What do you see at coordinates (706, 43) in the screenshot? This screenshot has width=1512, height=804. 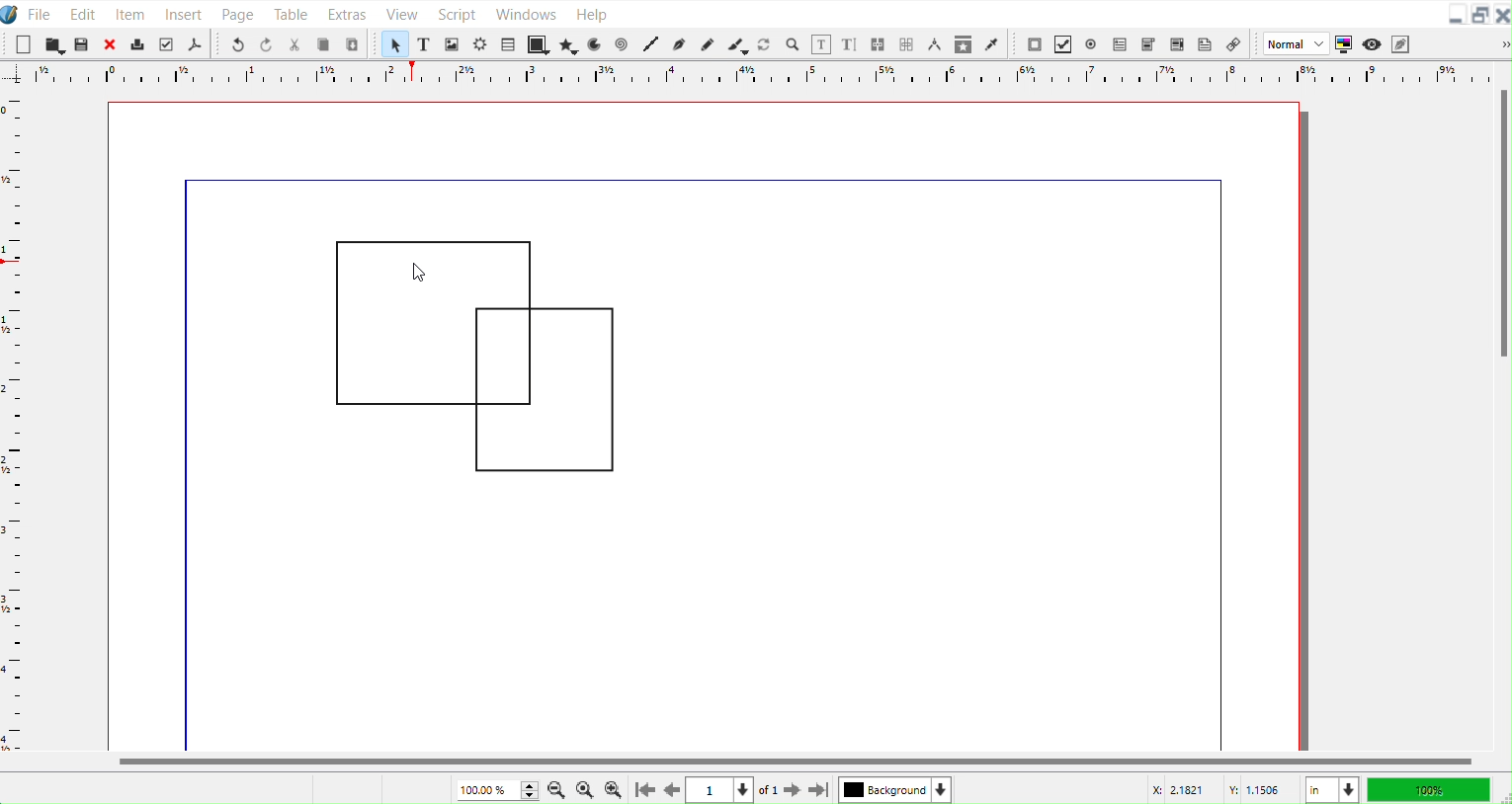 I see `Freehand line` at bounding box center [706, 43].